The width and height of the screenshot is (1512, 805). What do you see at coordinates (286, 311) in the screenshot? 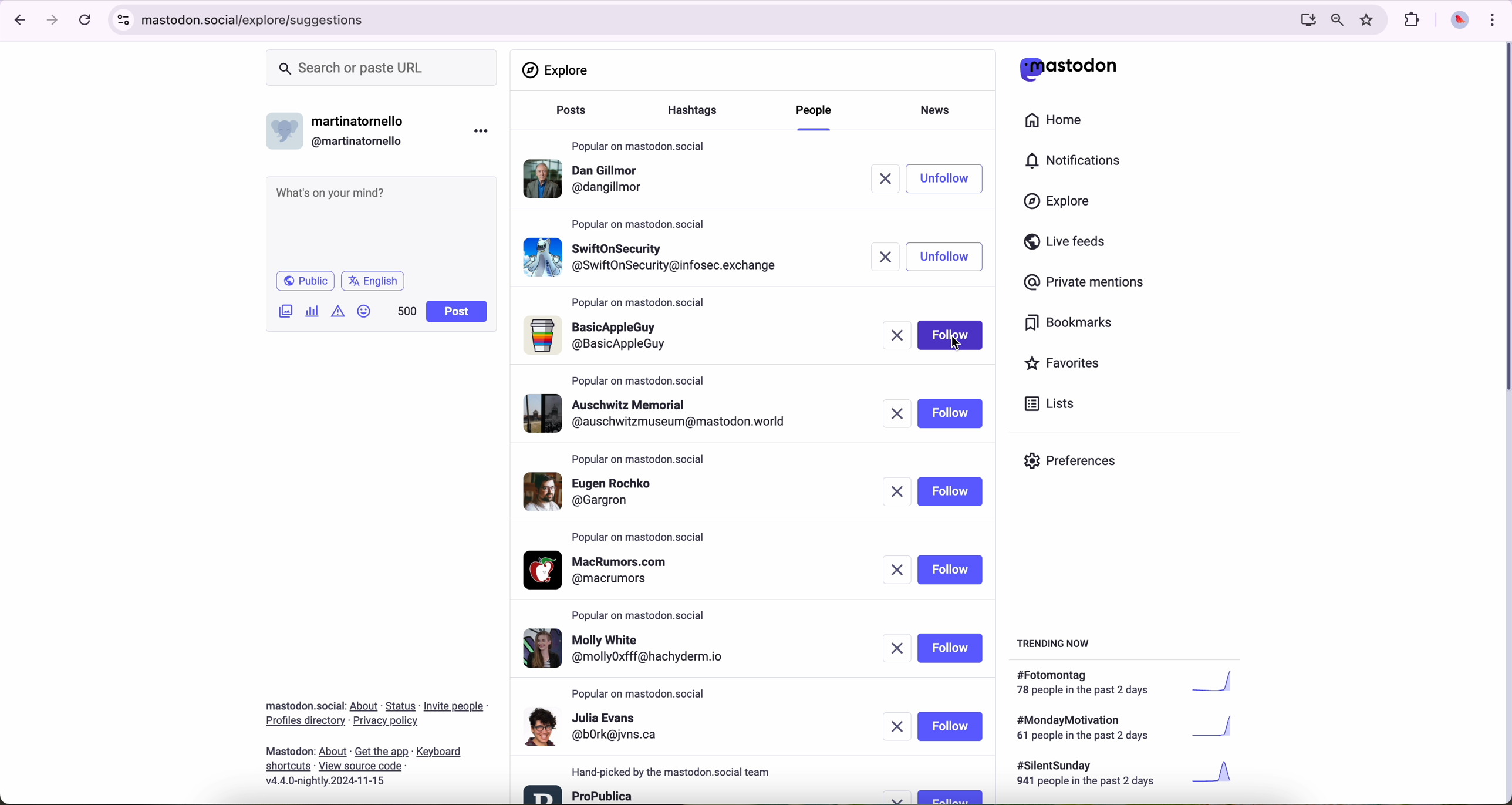
I see `attach image` at bounding box center [286, 311].